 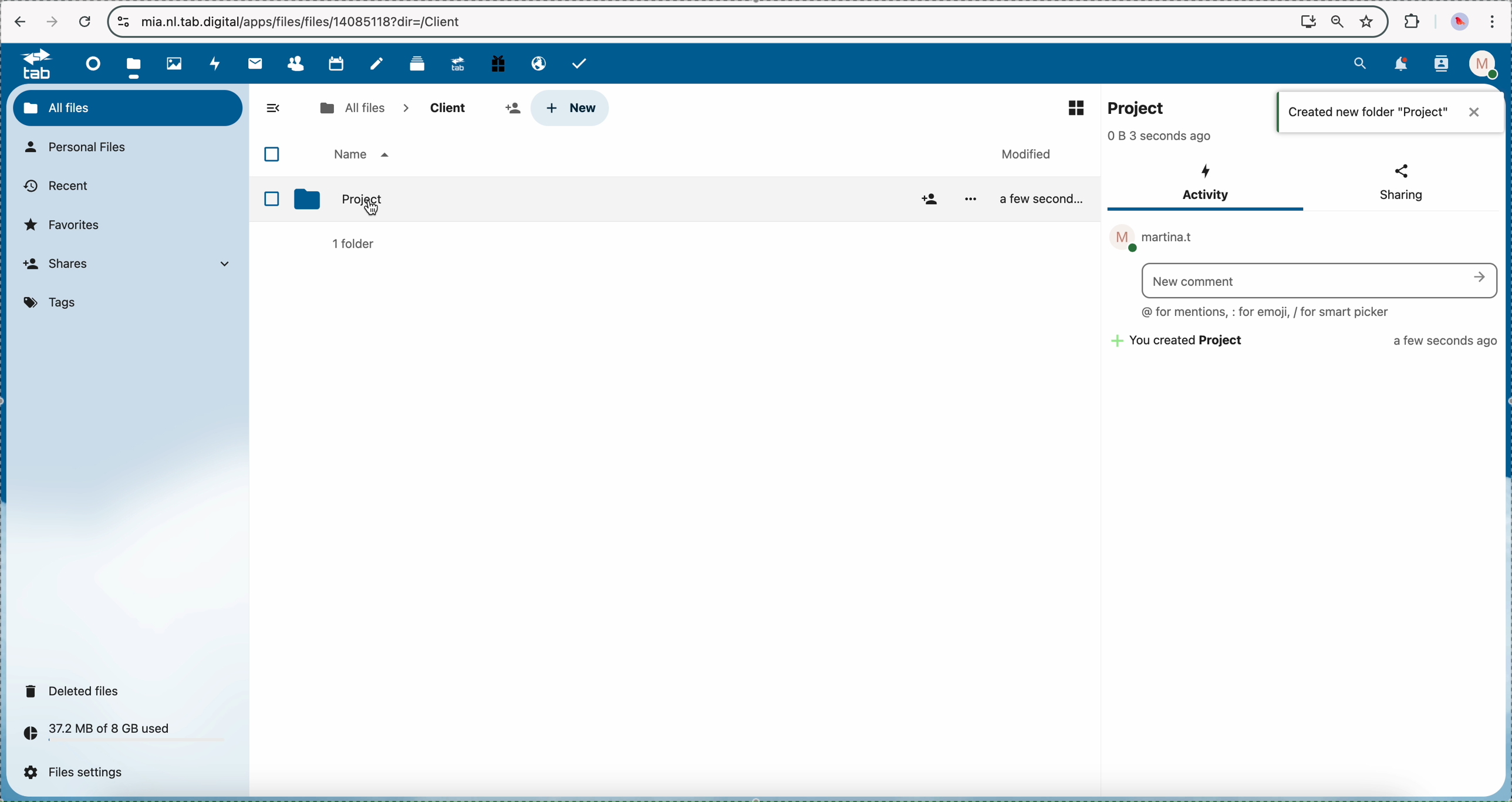 I want to click on 1 folder, so click(x=350, y=242).